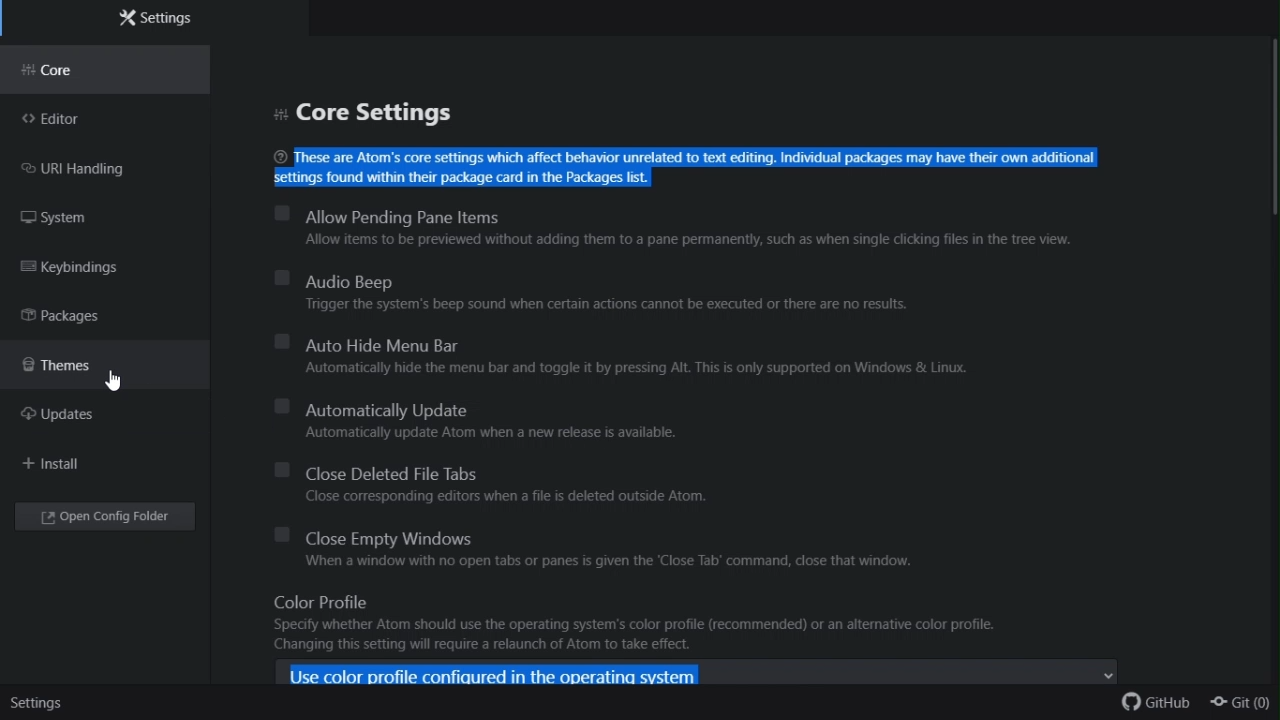 This screenshot has height=720, width=1280. Describe the element at coordinates (623, 355) in the screenshot. I see `Auto hide menu bar` at that location.